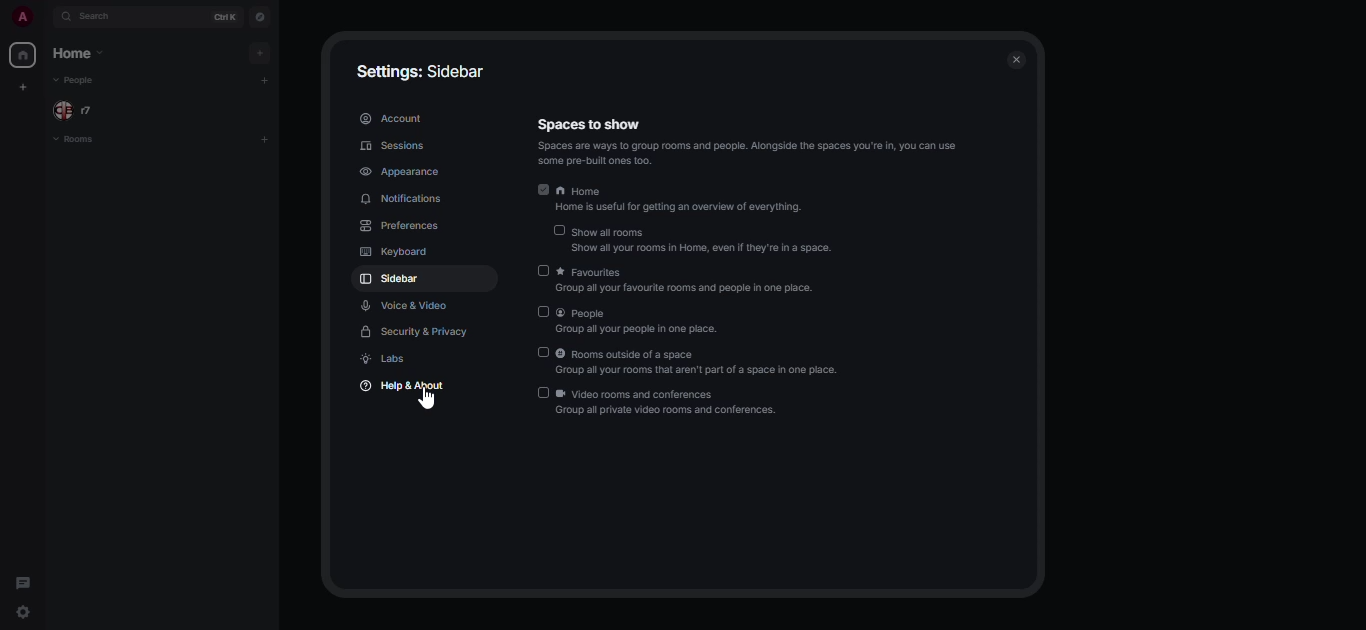  Describe the element at coordinates (264, 81) in the screenshot. I see `add` at that location.